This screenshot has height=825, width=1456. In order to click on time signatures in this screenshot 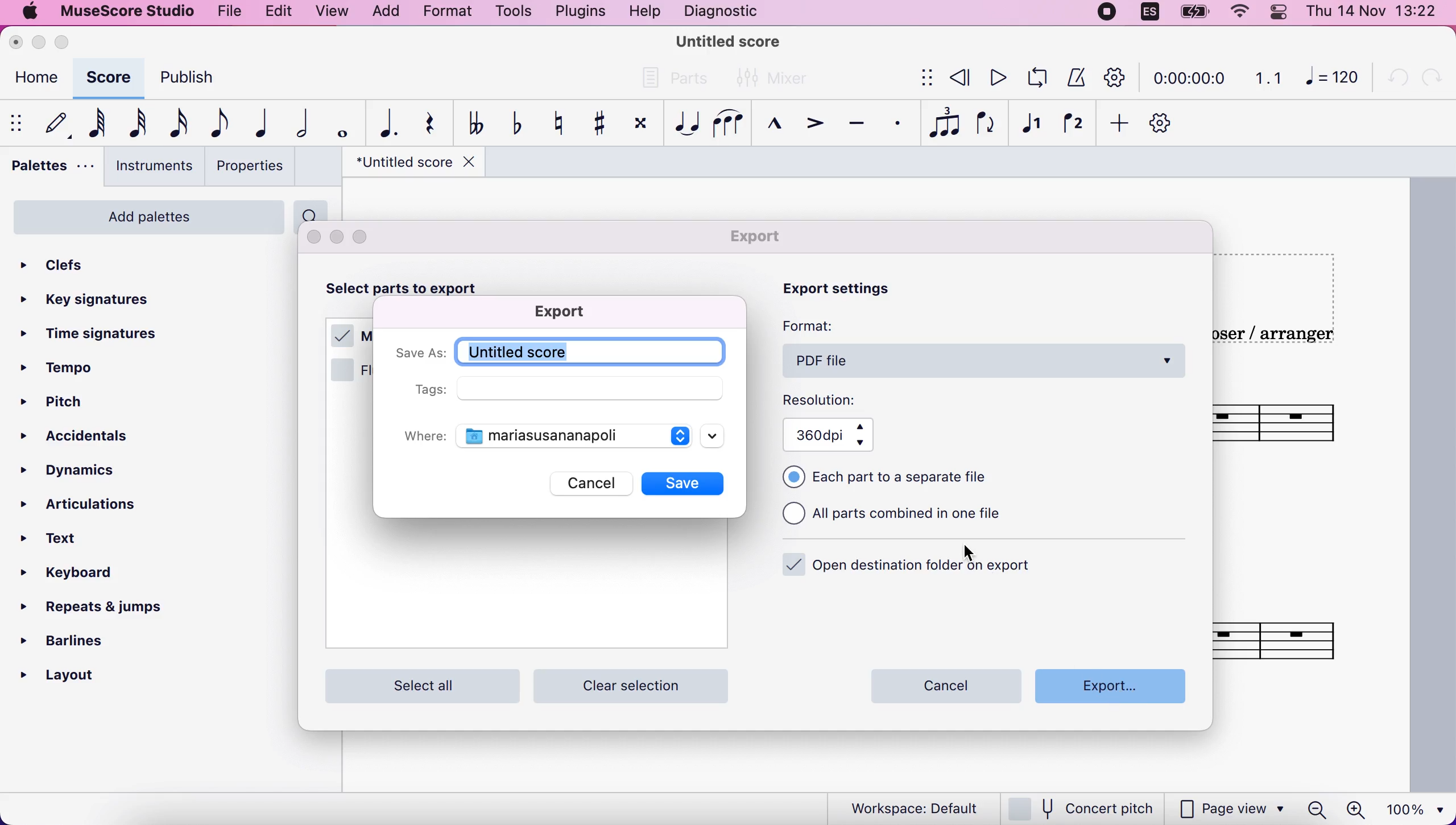, I will do `click(108, 335)`.